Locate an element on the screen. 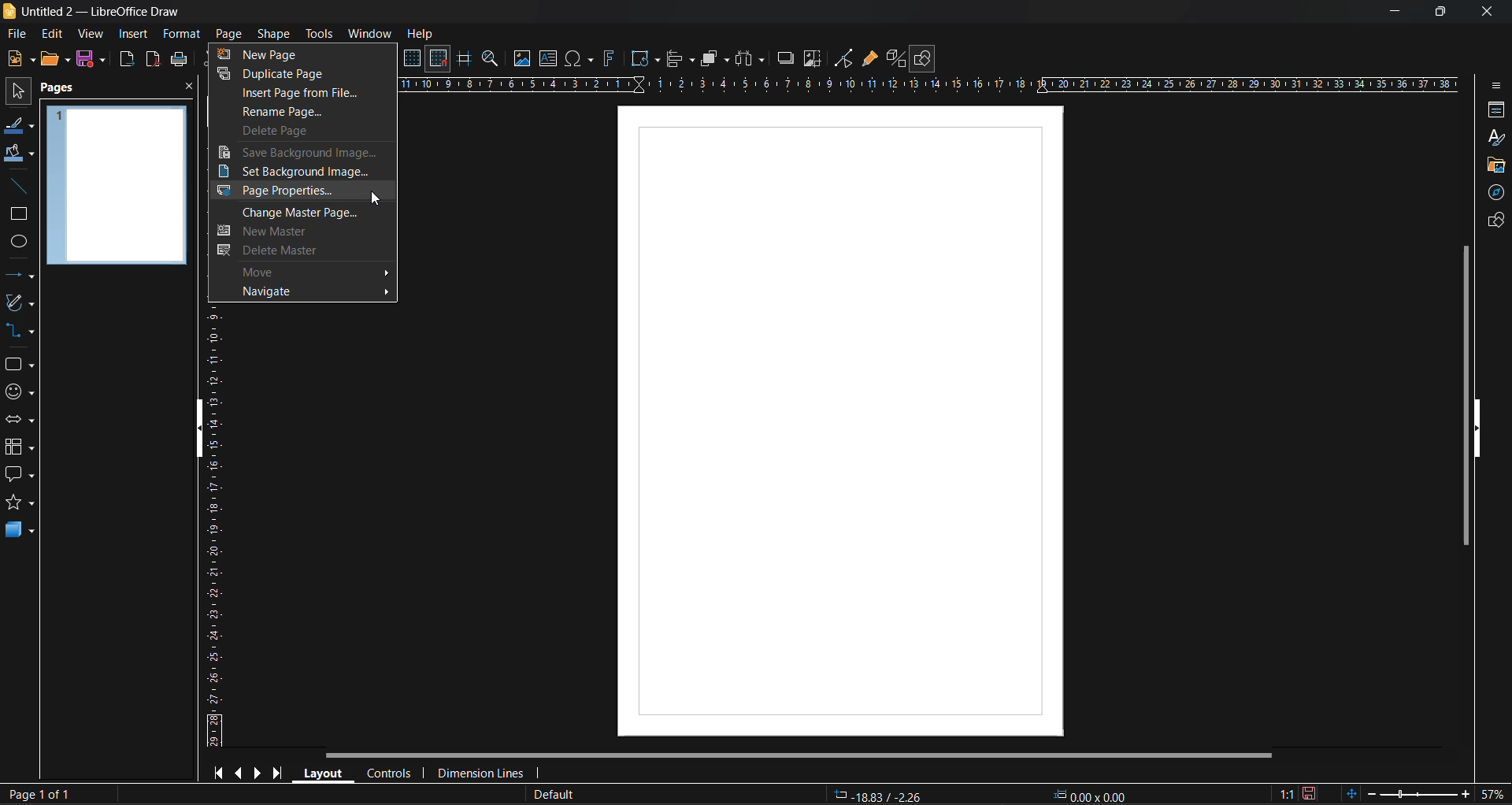 The image size is (1512, 805). gallery is located at coordinates (1493, 164).